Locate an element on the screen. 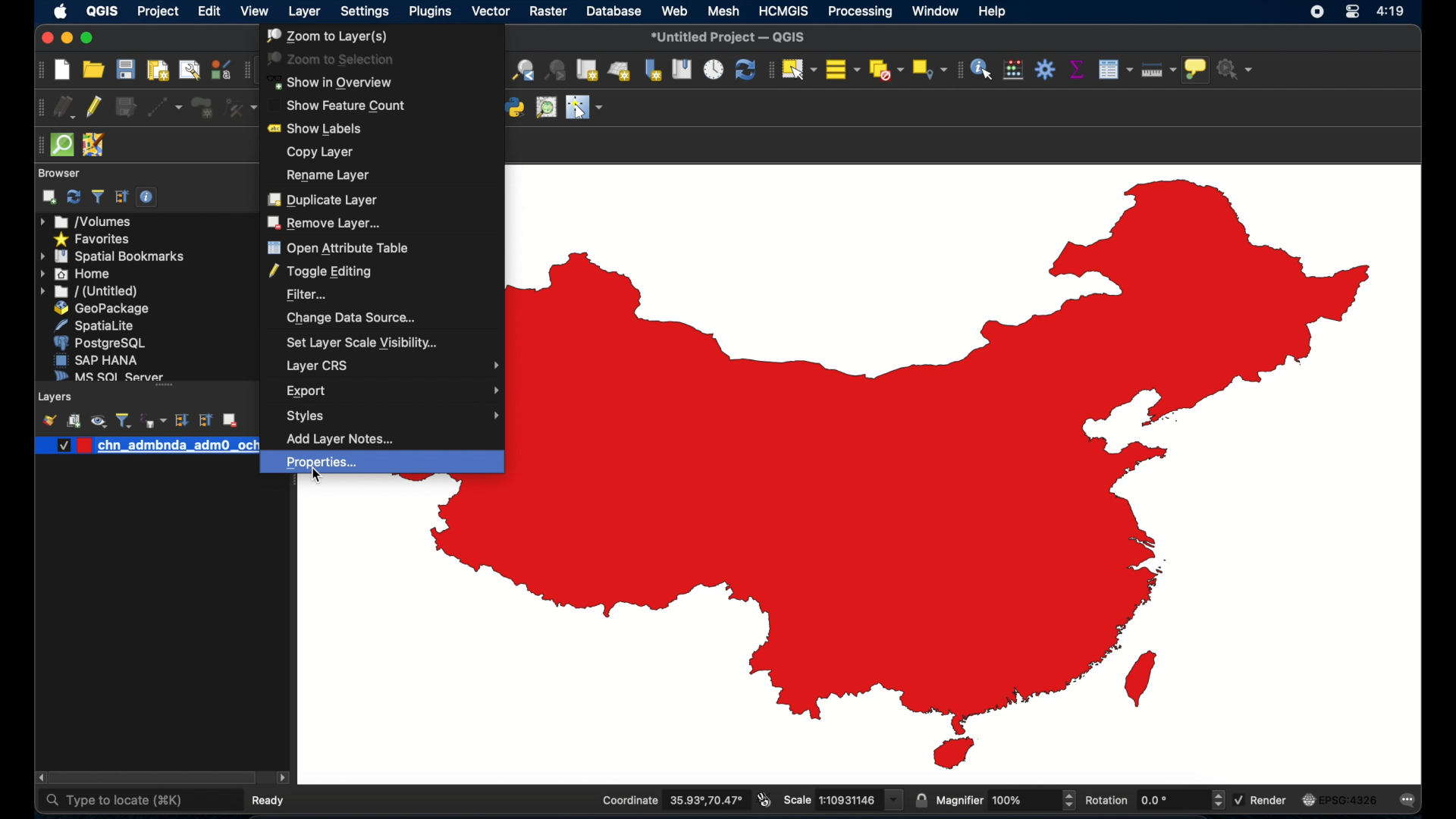 This screenshot has width=1456, height=819. duplicate layer is located at coordinates (323, 199).